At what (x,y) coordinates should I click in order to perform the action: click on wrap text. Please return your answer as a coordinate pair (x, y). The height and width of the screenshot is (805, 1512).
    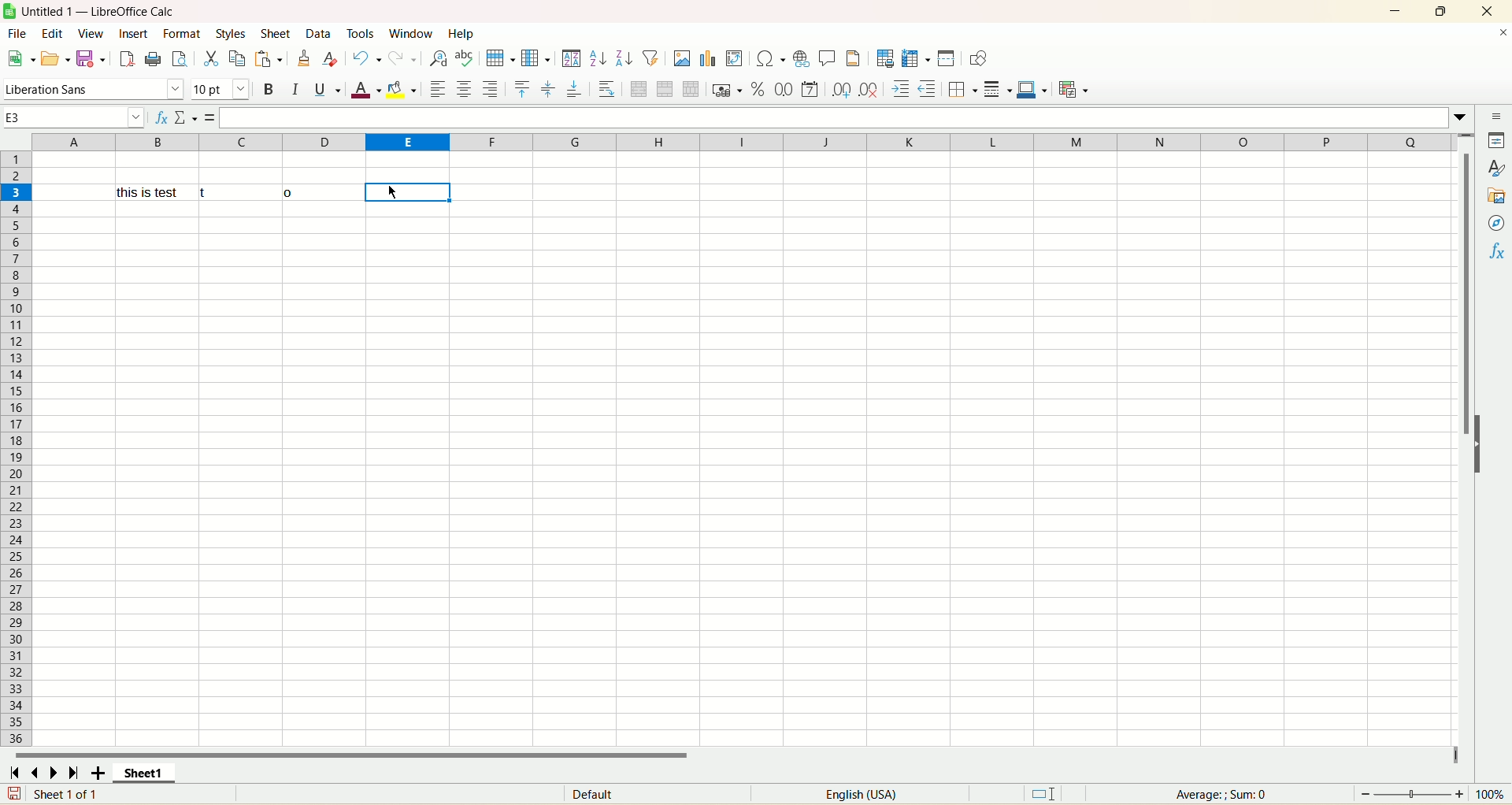
    Looking at the image, I should click on (607, 90).